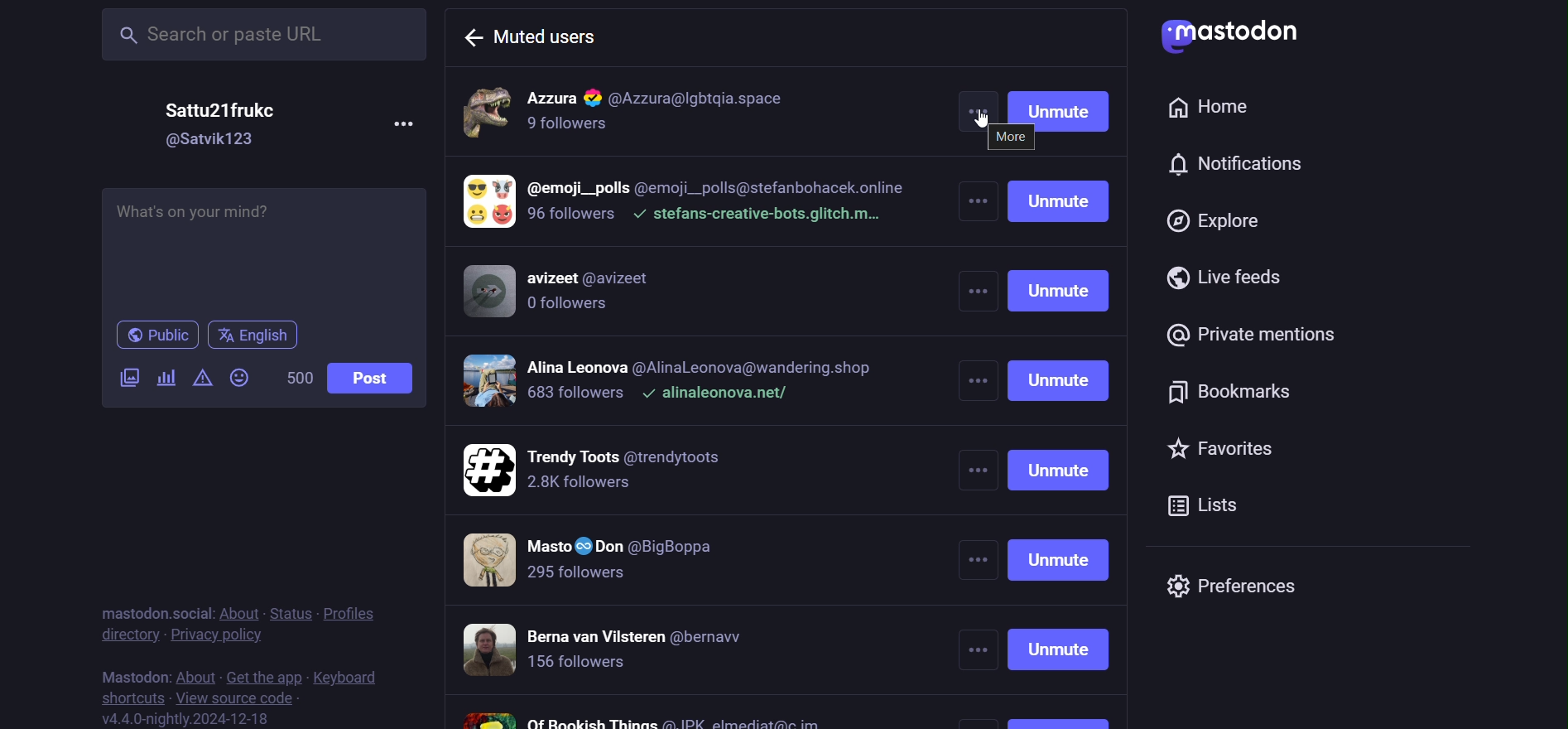 This screenshot has height=729, width=1568. I want to click on unmute, so click(1061, 107).